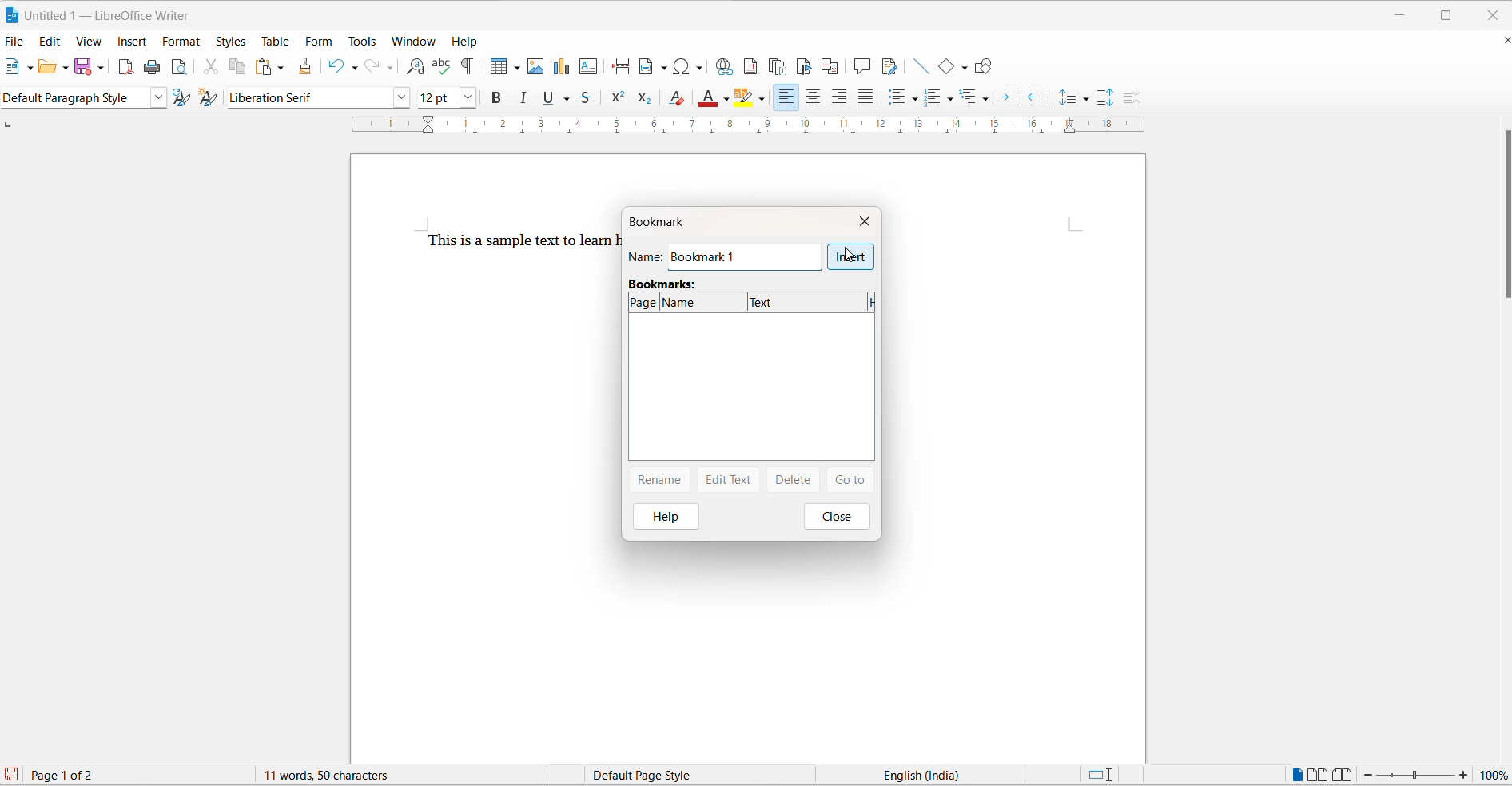 The height and width of the screenshot is (786, 1512). What do you see at coordinates (1492, 13) in the screenshot?
I see `close` at bounding box center [1492, 13].